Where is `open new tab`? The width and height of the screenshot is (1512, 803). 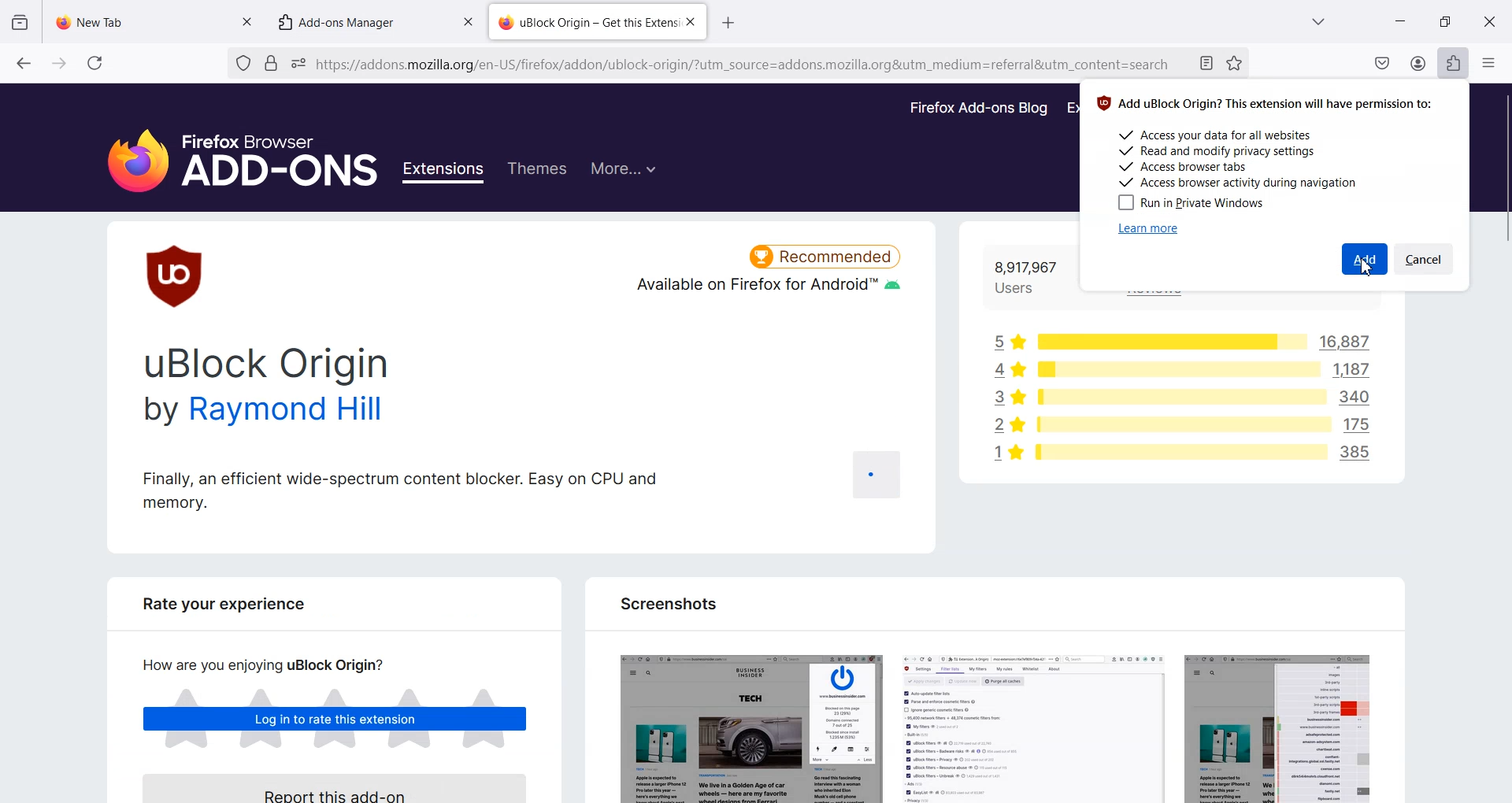 open new tab is located at coordinates (732, 20).